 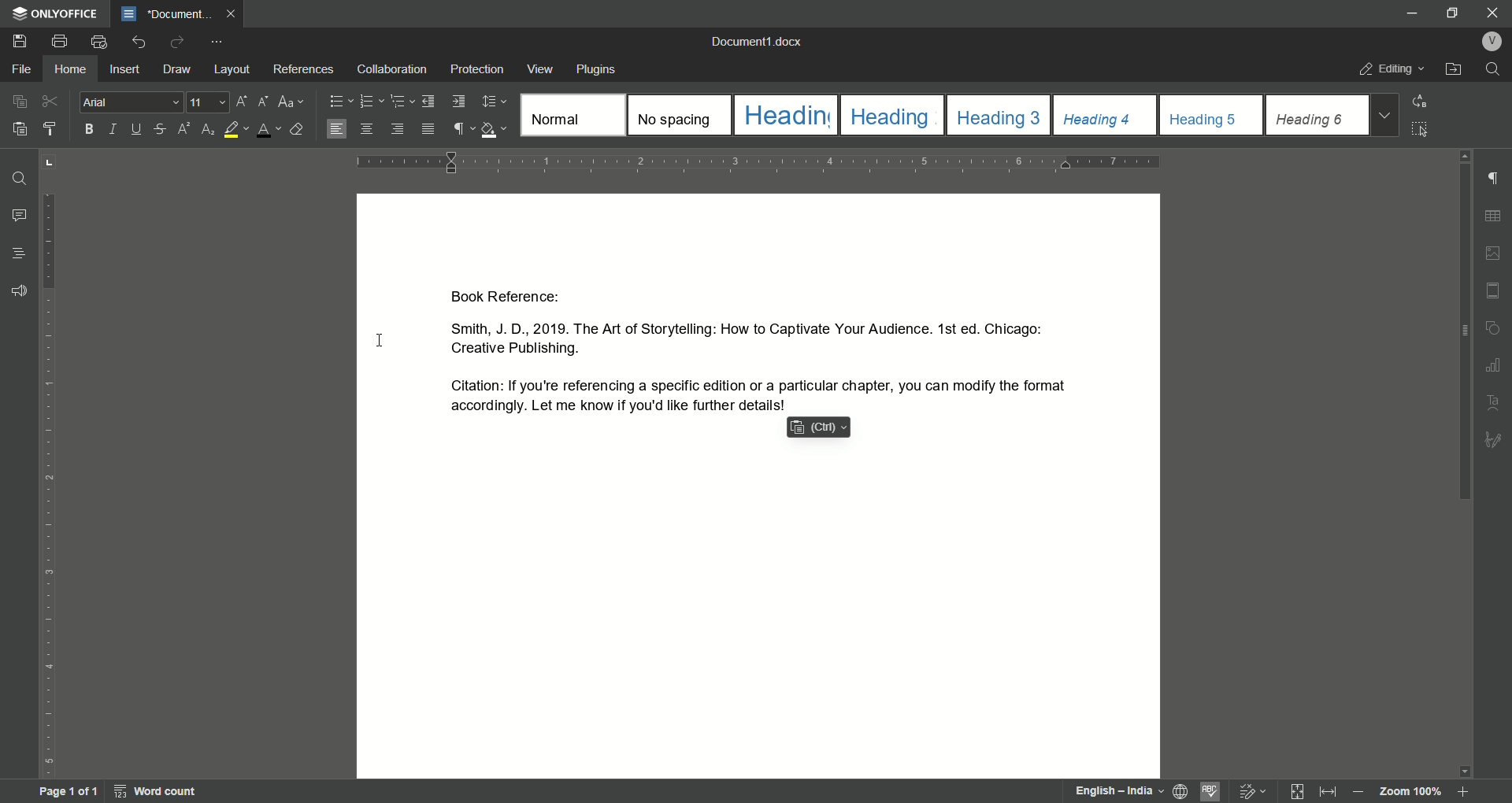 What do you see at coordinates (336, 129) in the screenshot?
I see `align left` at bounding box center [336, 129].